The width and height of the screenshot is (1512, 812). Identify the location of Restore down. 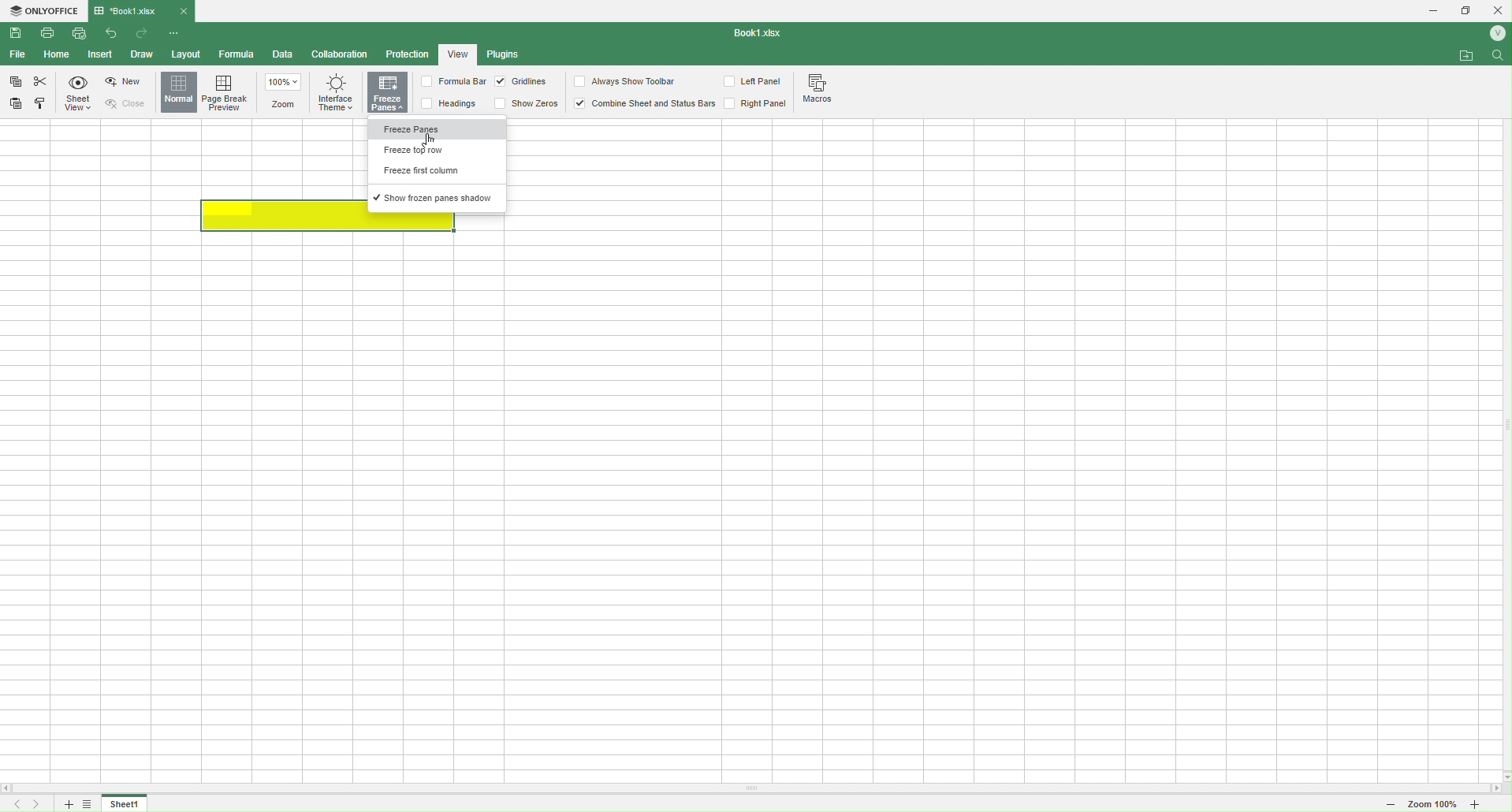
(1466, 12).